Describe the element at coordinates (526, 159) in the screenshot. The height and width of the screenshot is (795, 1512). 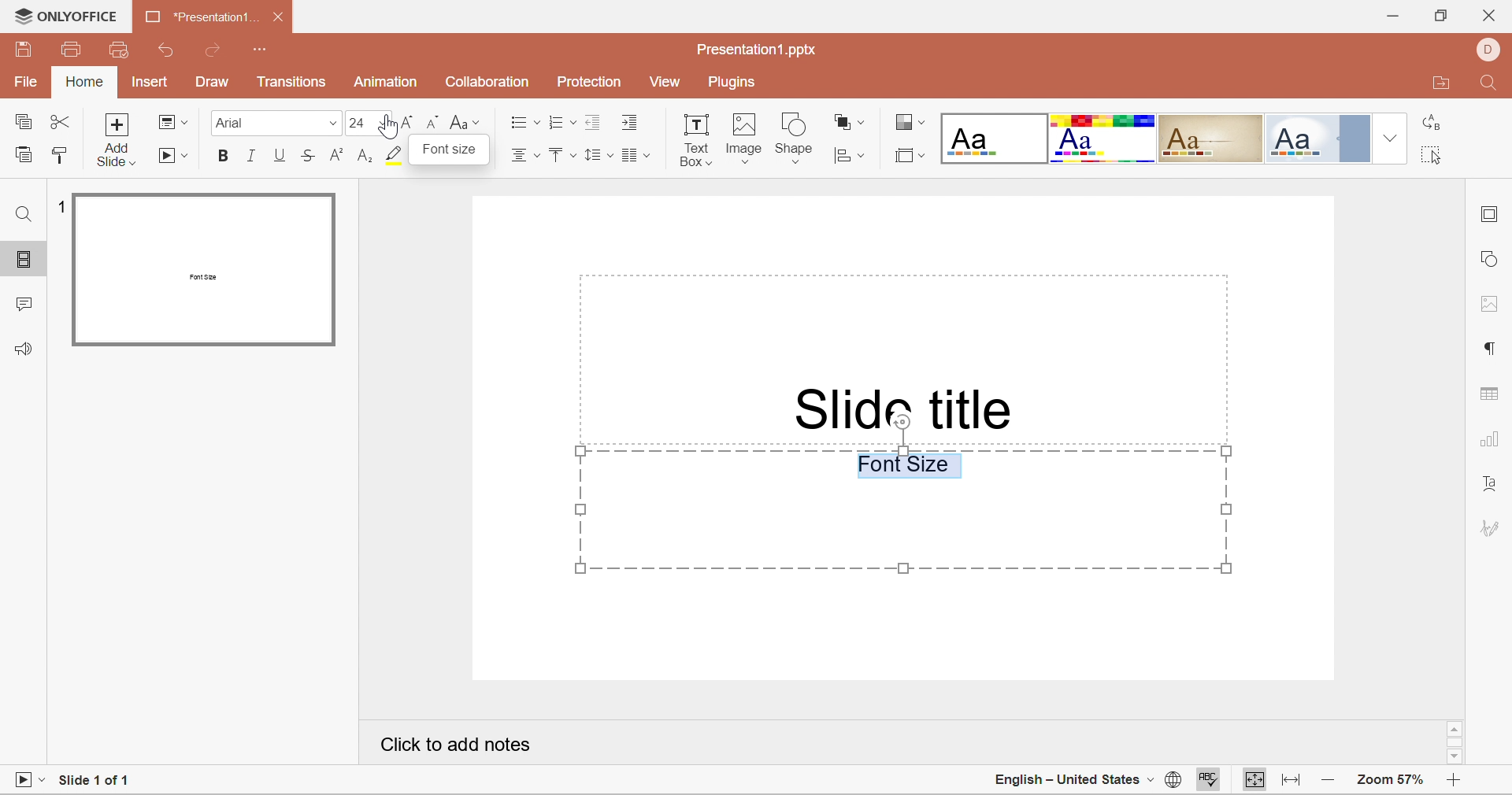
I see `Align center` at that location.